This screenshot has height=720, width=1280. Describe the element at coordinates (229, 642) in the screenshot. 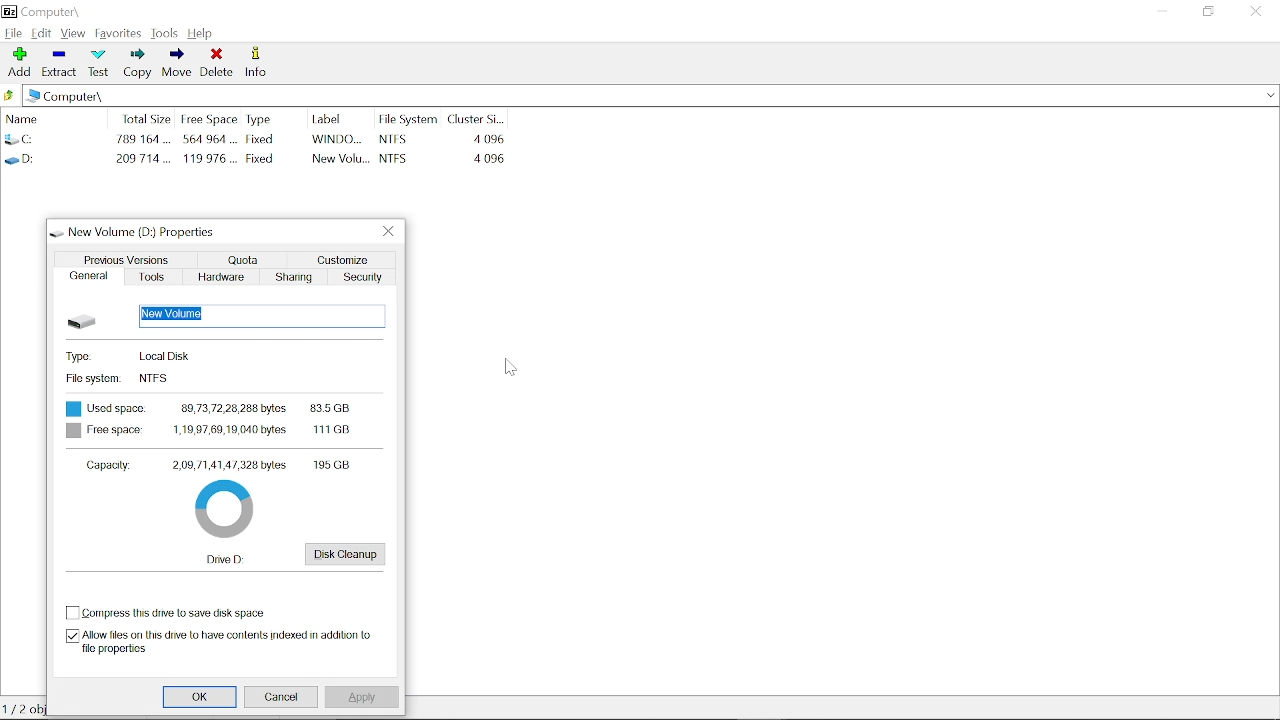

I see `allow files in this drive to have contents indexed in addition to file properties` at that location.